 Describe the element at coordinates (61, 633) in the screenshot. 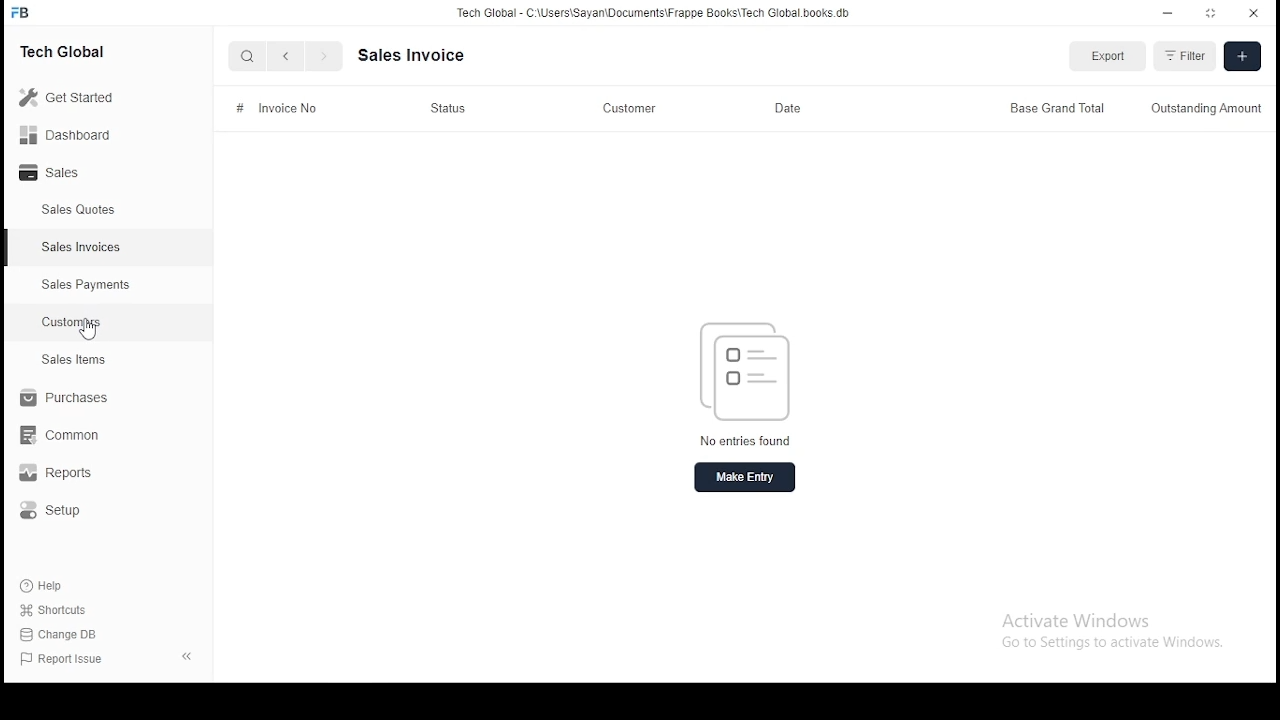

I see `change DB` at that location.